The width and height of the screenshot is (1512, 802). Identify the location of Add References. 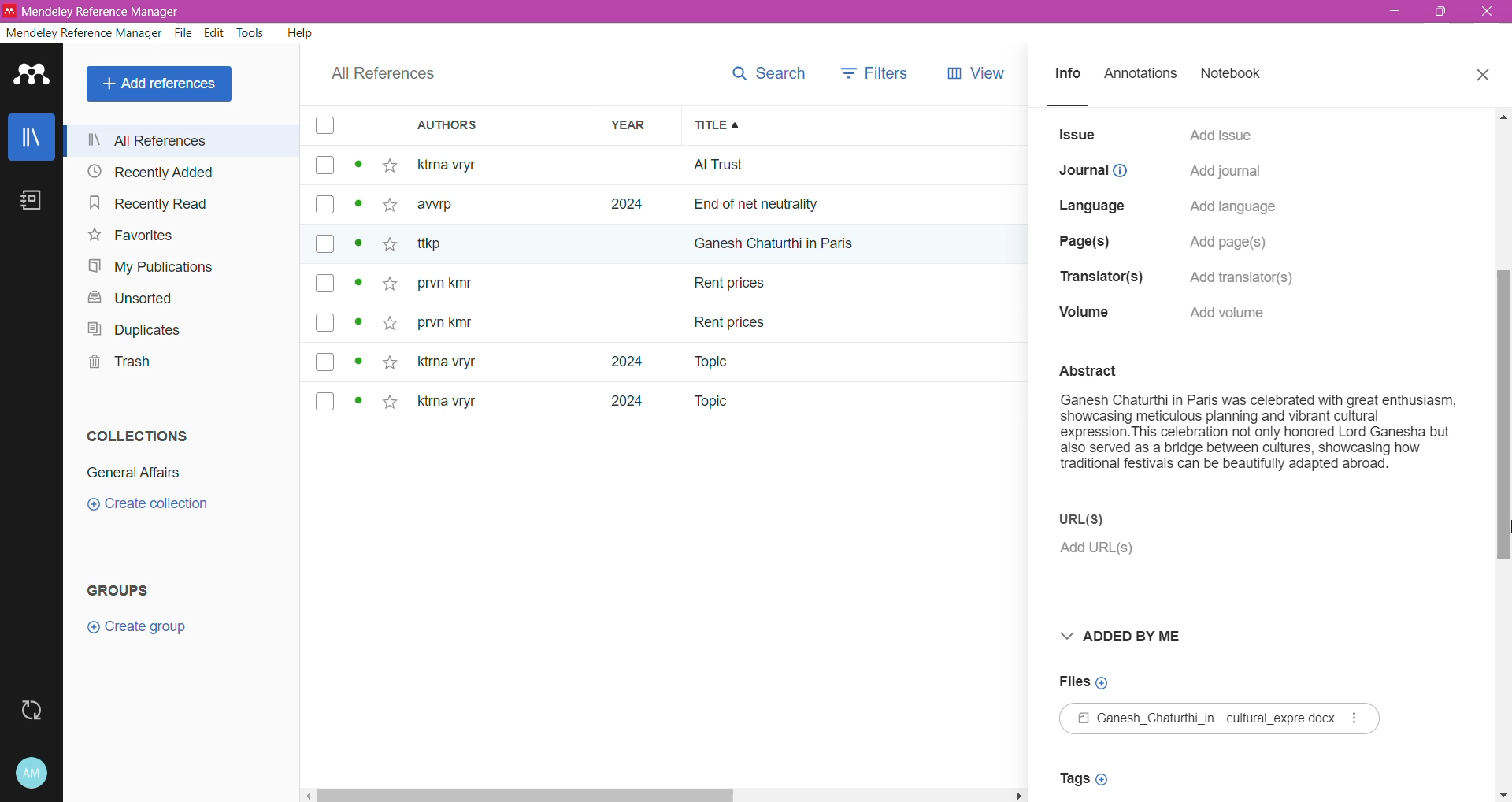
(161, 84).